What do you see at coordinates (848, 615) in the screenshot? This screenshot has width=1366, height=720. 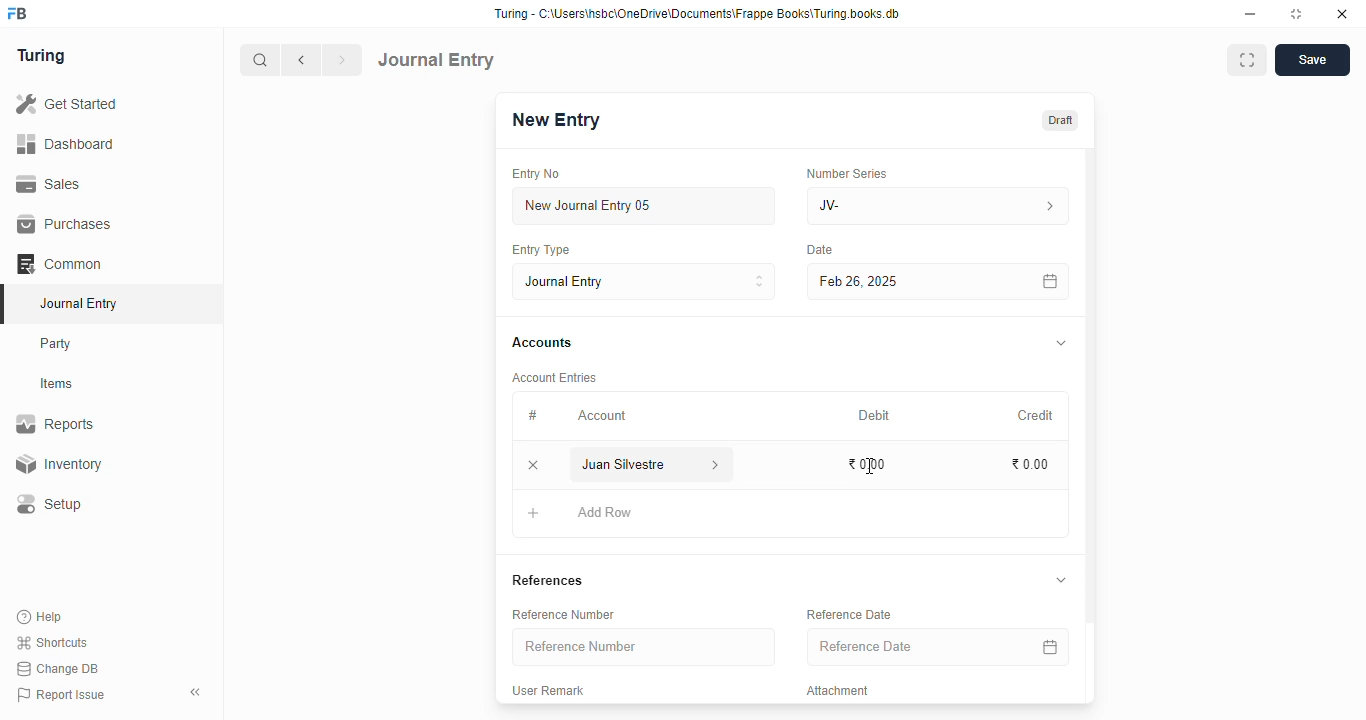 I see `reference date` at bounding box center [848, 615].